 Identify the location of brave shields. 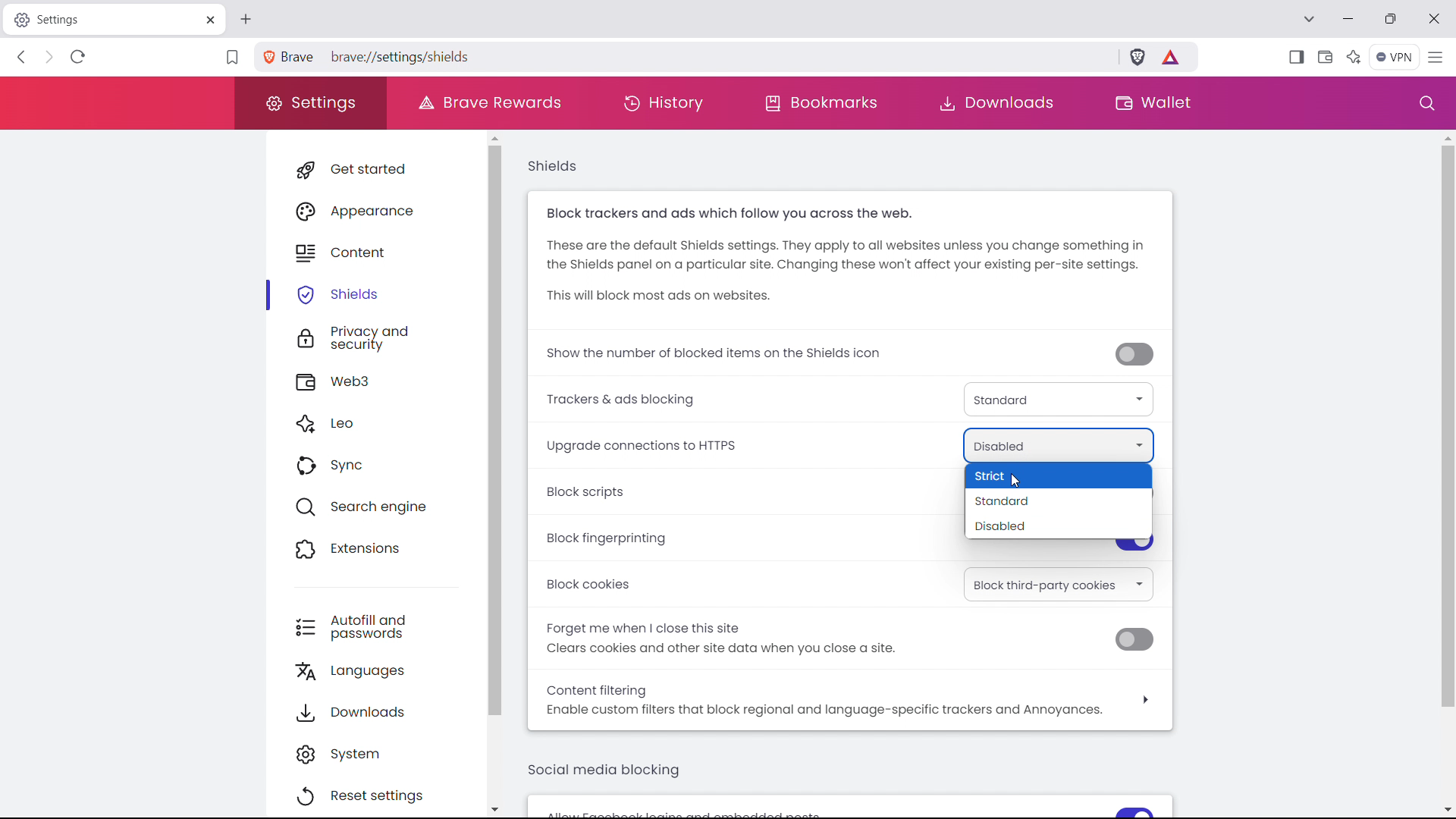
(1137, 56).